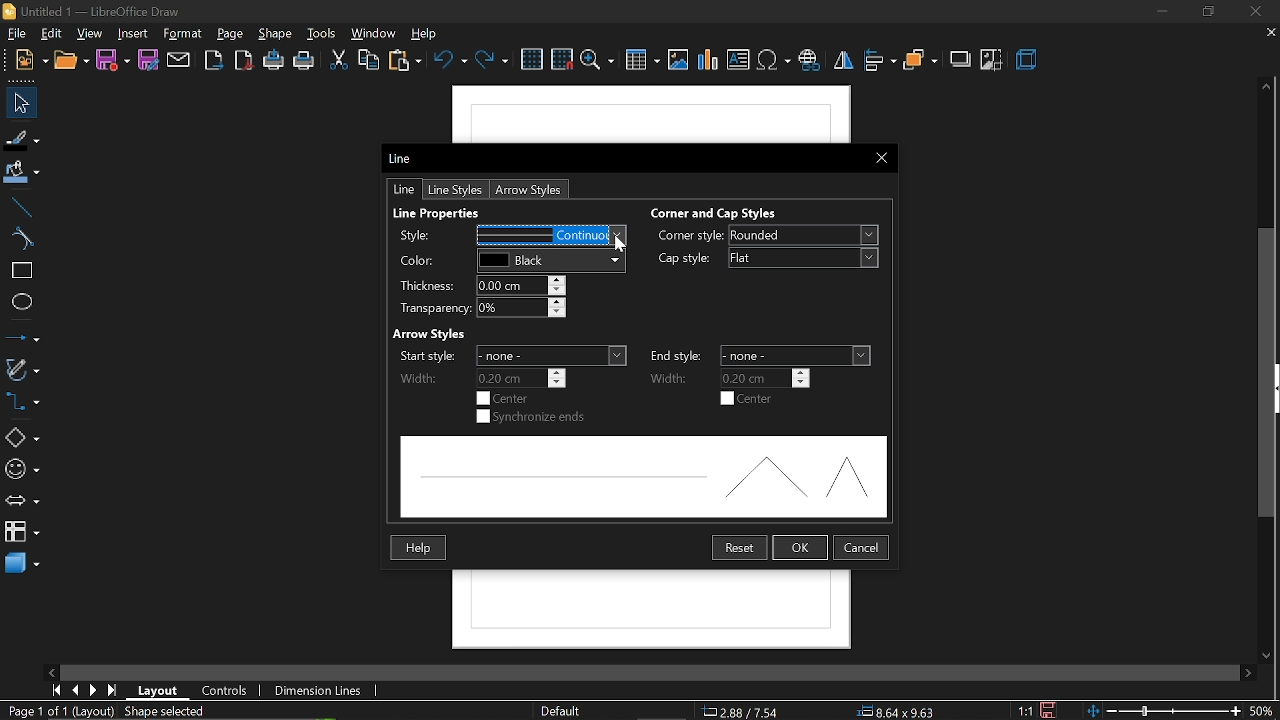 This screenshot has width=1280, height=720. What do you see at coordinates (1026, 58) in the screenshot?
I see `3d effects` at bounding box center [1026, 58].